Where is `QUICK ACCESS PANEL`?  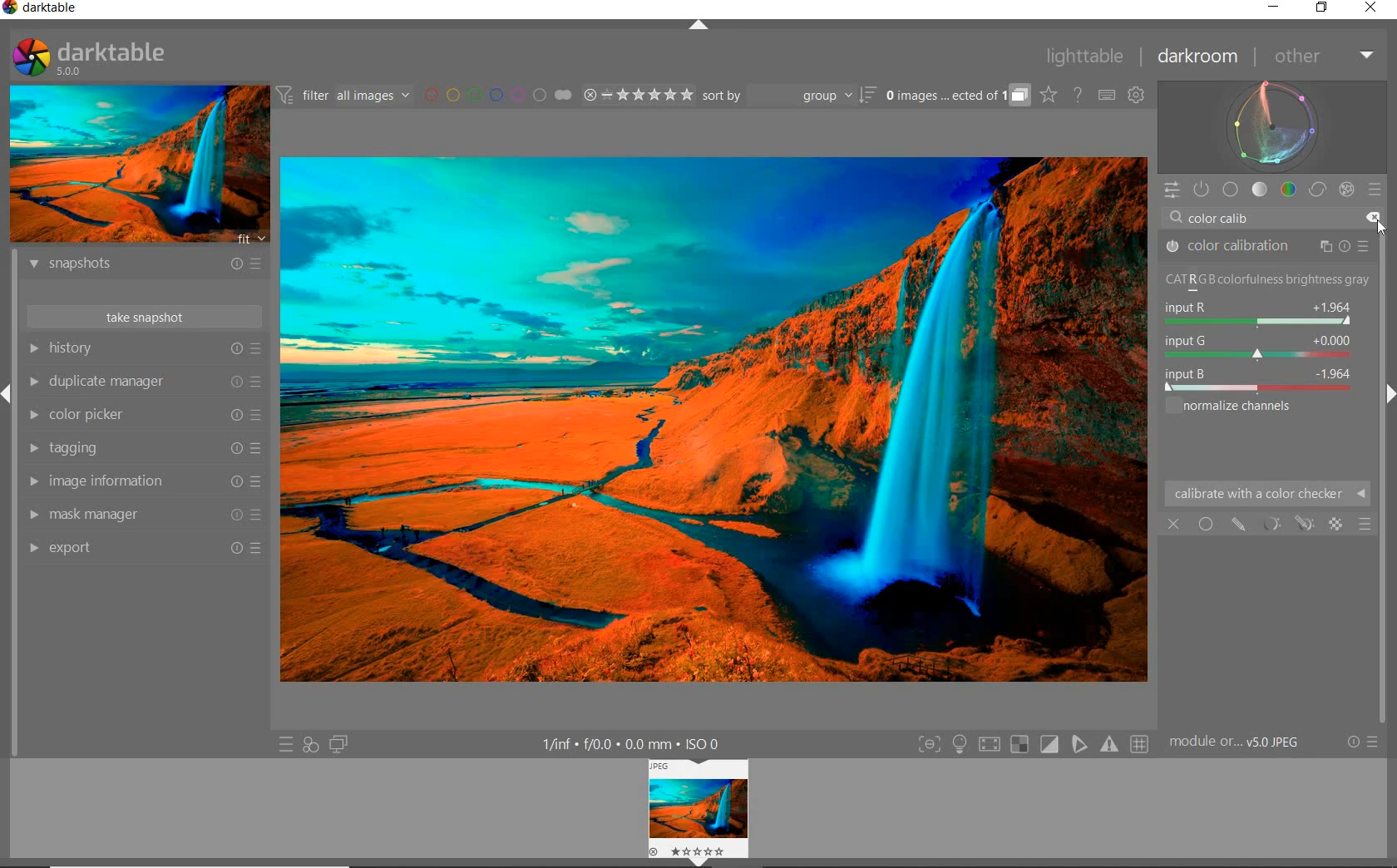 QUICK ACCESS PANEL is located at coordinates (1172, 190).